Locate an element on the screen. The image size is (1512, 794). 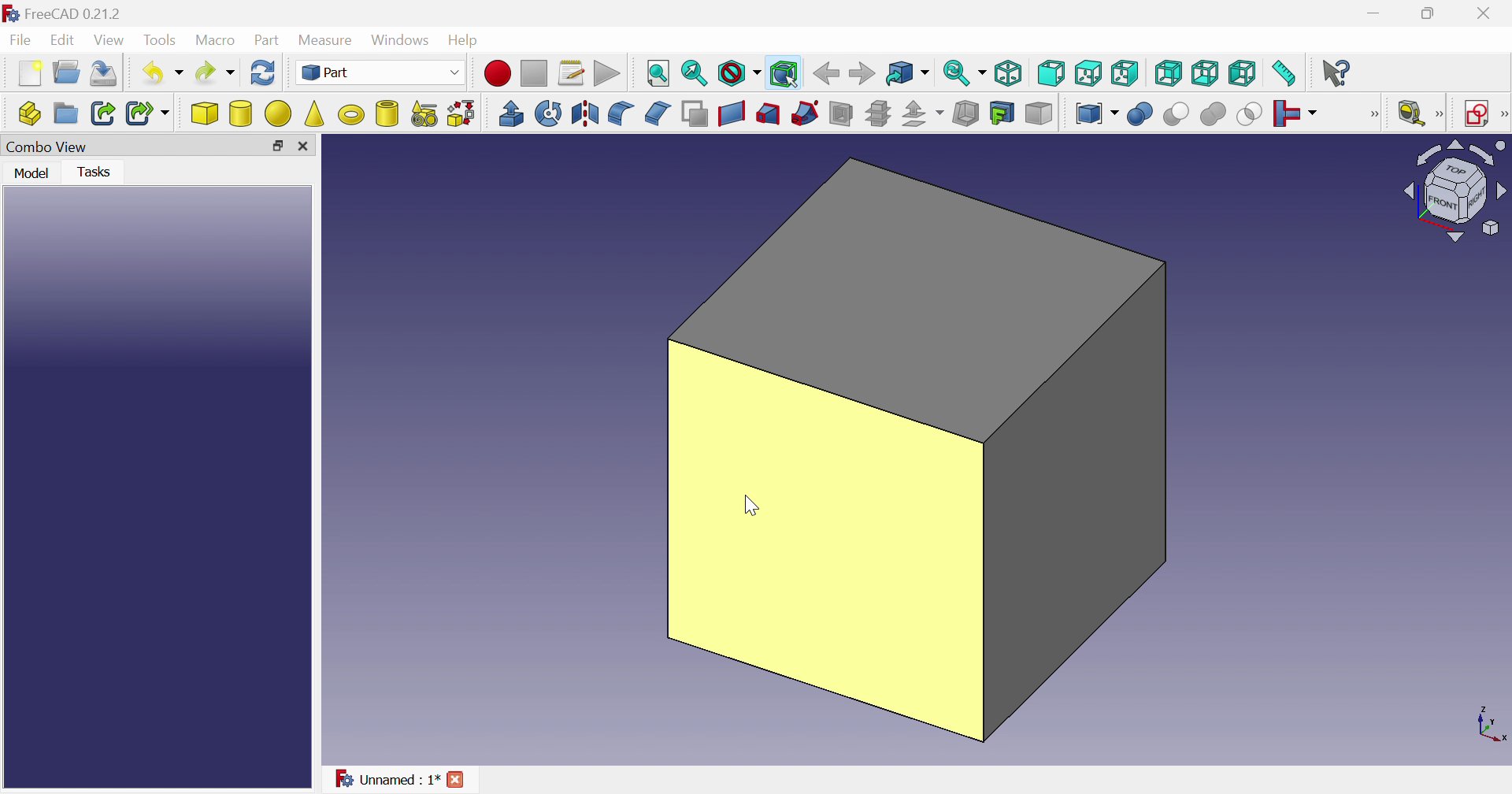
Create projection on surface... is located at coordinates (1002, 113).